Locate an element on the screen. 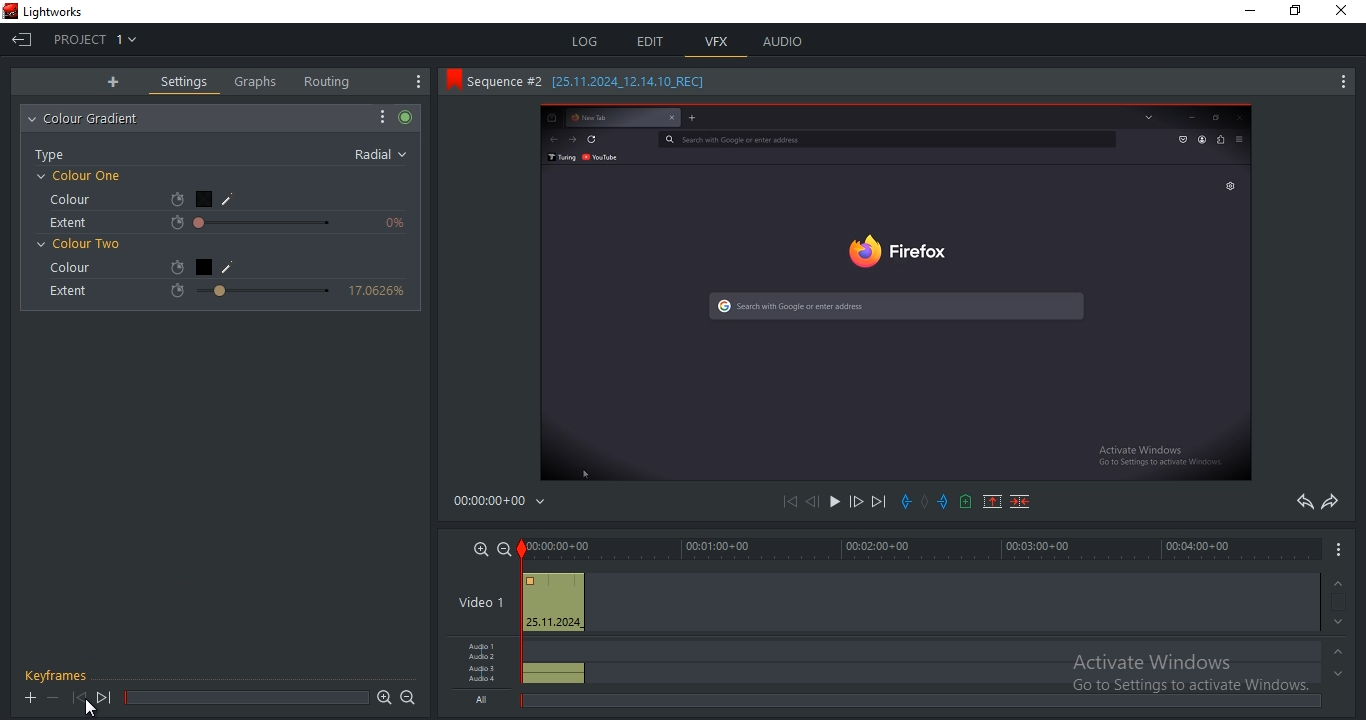 This screenshot has height=720, width=1366. Restore is located at coordinates (1301, 9).